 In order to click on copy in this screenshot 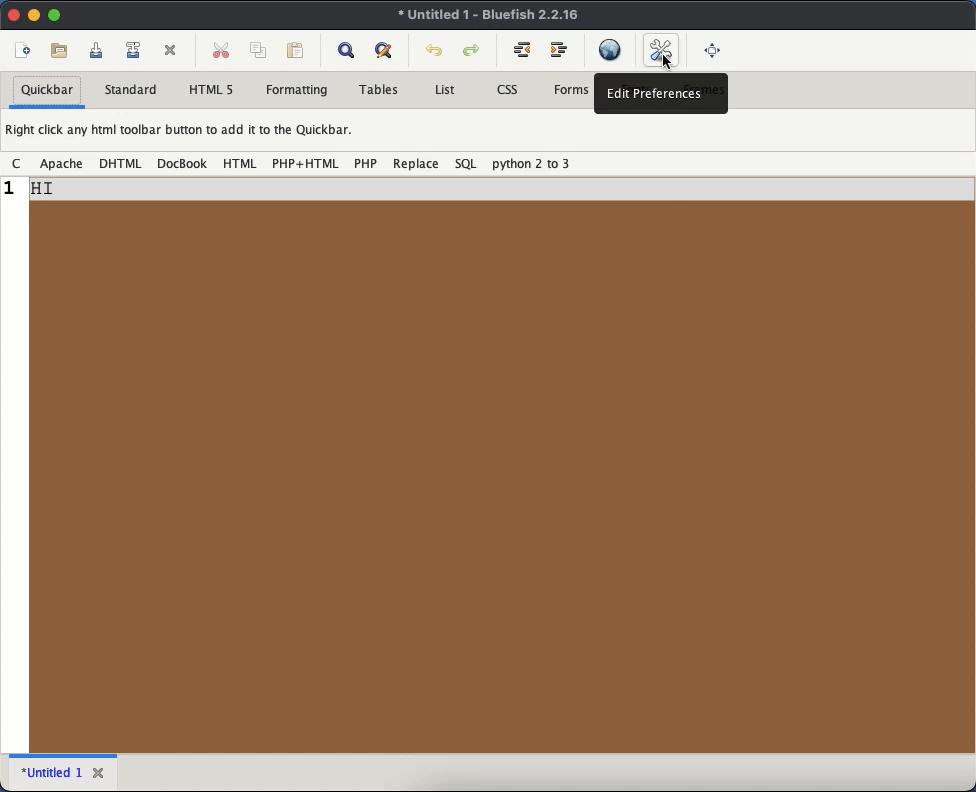, I will do `click(260, 50)`.